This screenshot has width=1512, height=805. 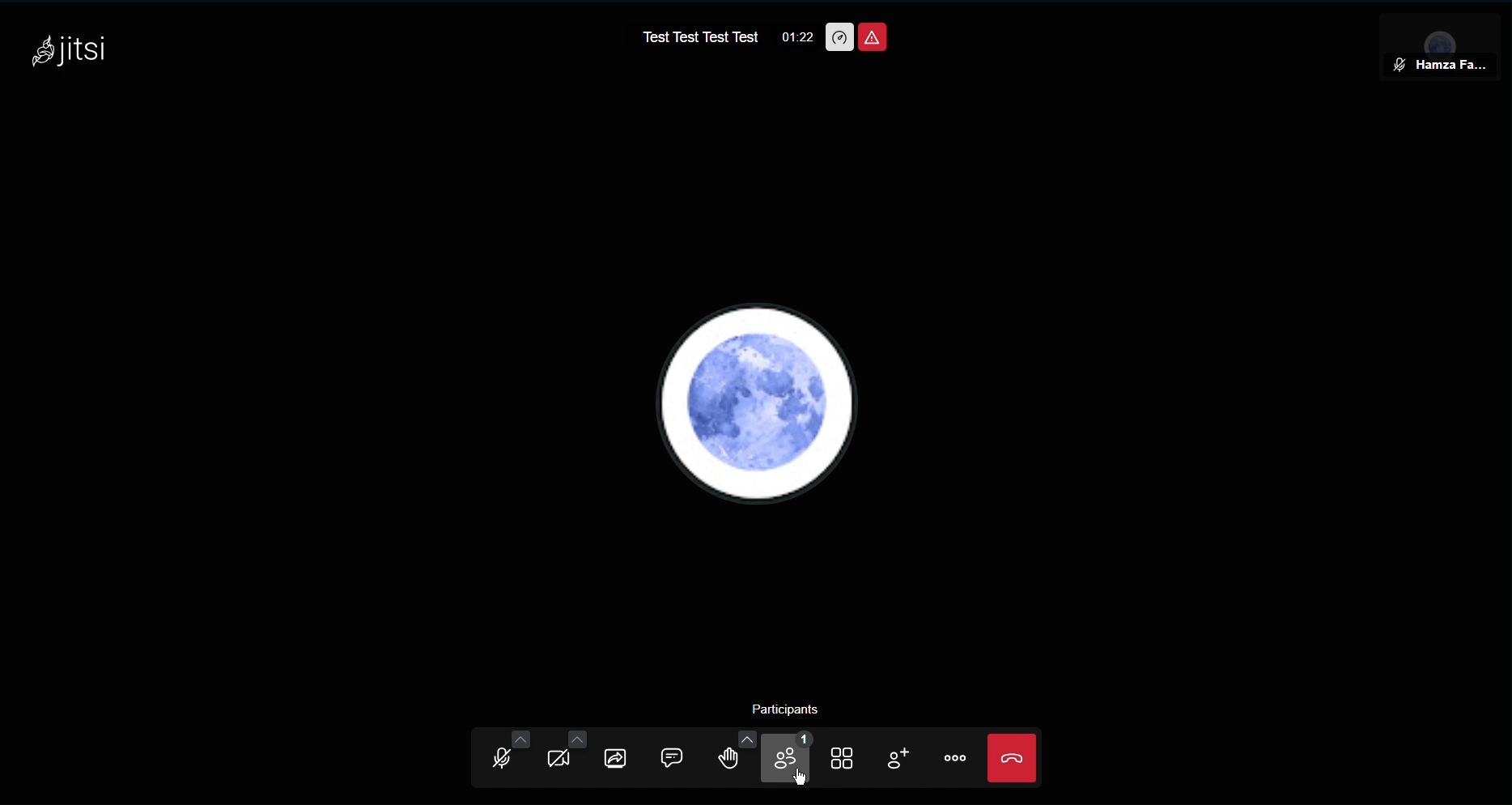 I want to click on More, so click(x=957, y=760).